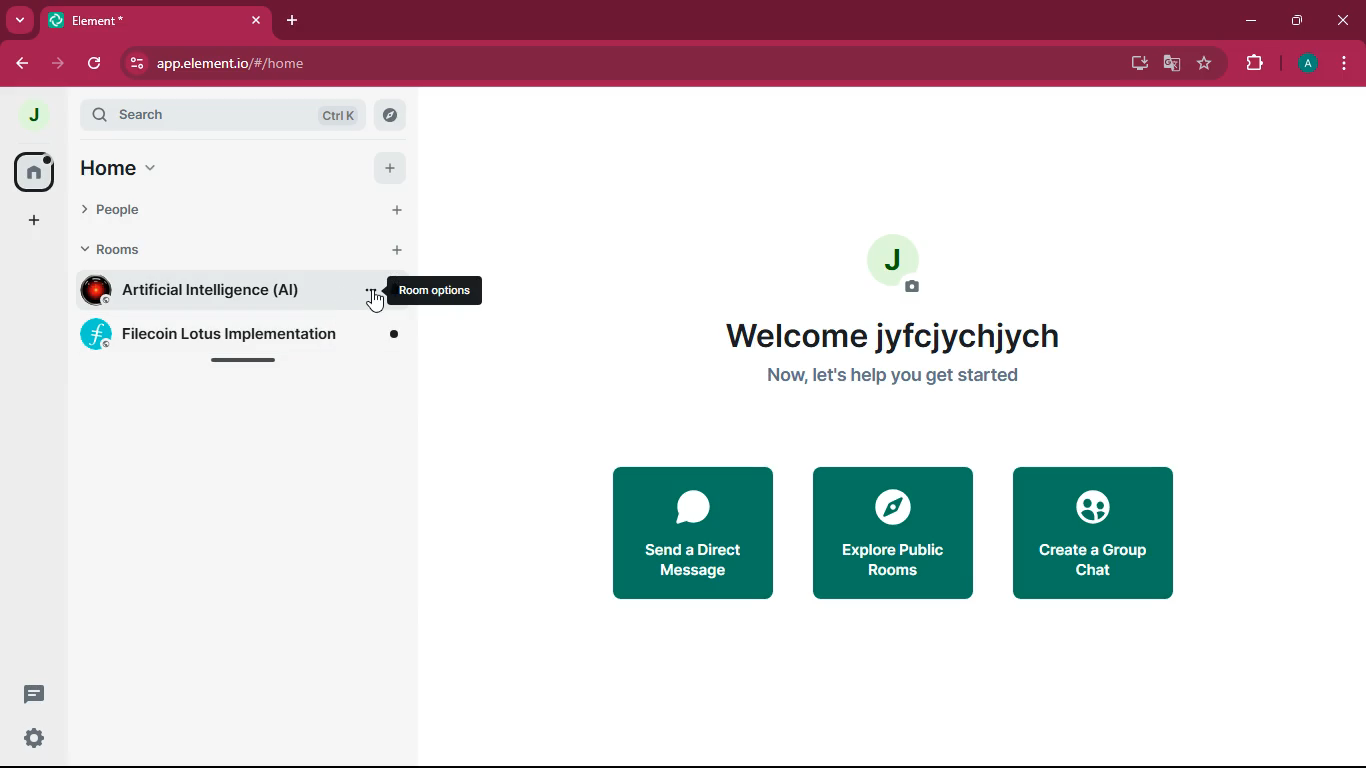  Describe the element at coordinates (1346, 64) in the screenshot. I see `menu` at that location.